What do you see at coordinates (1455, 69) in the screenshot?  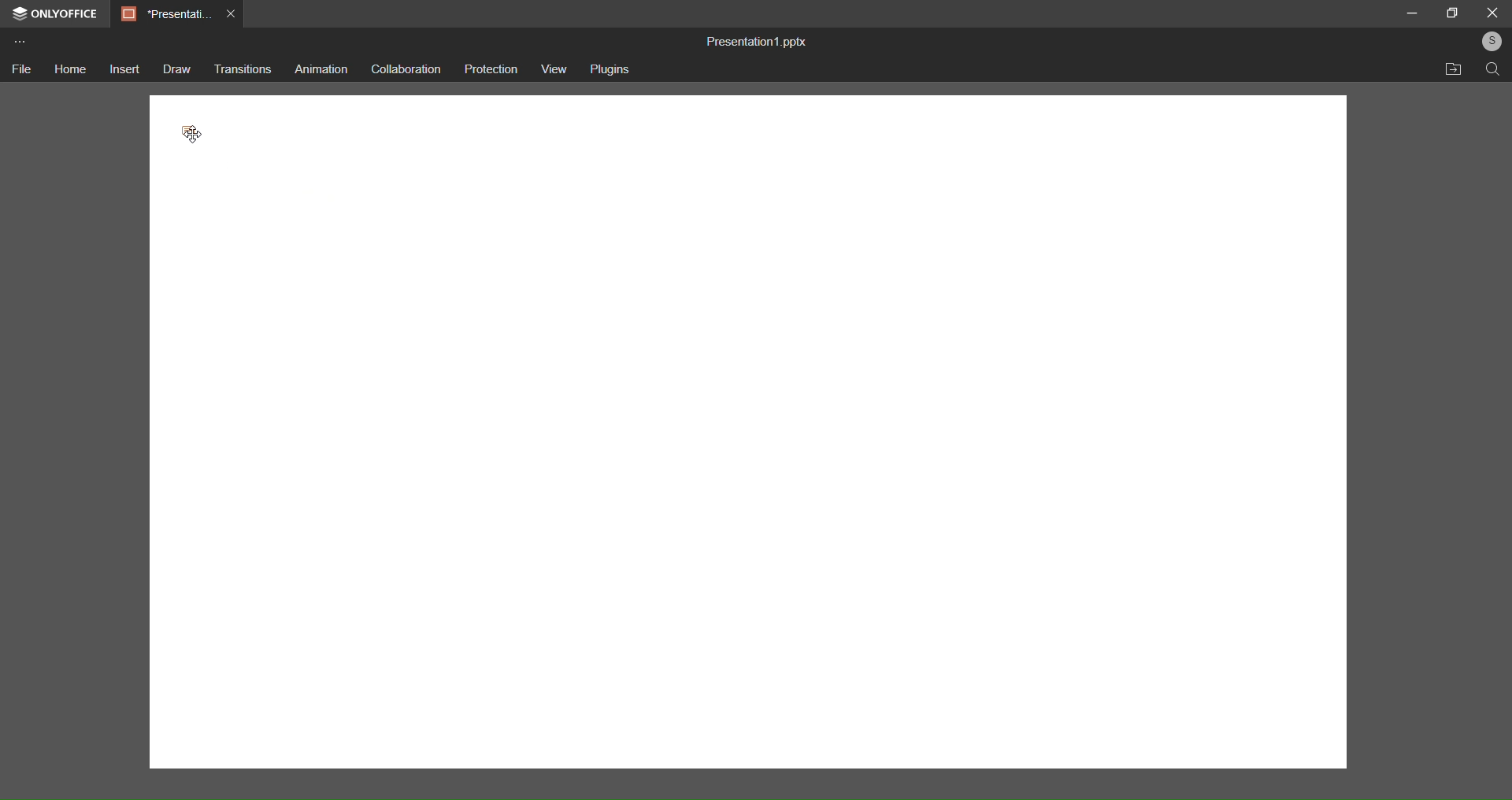 I see `open` at bounding box center [1455, 69].